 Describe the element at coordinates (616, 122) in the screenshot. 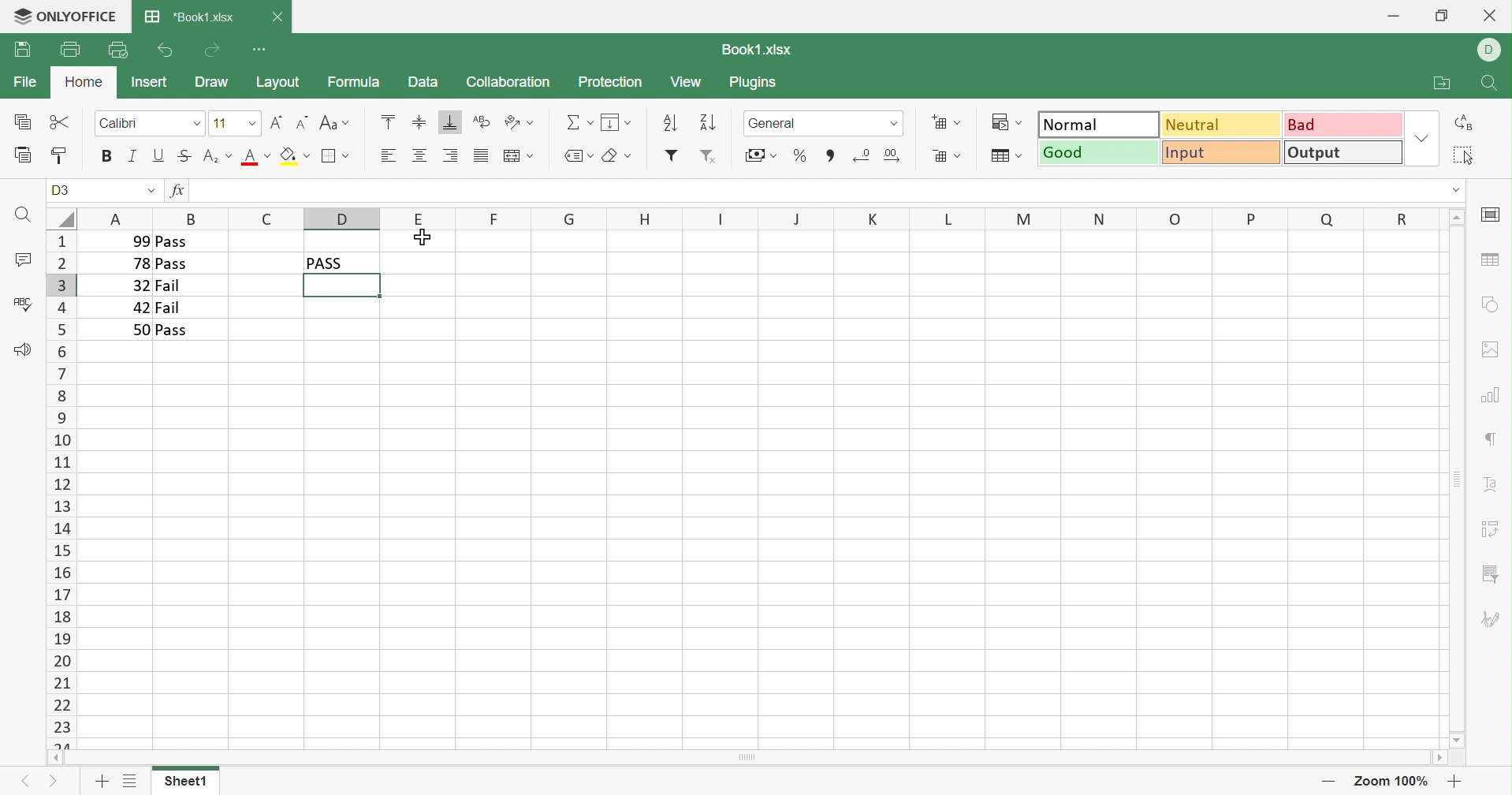

I see `Fill` at that location.